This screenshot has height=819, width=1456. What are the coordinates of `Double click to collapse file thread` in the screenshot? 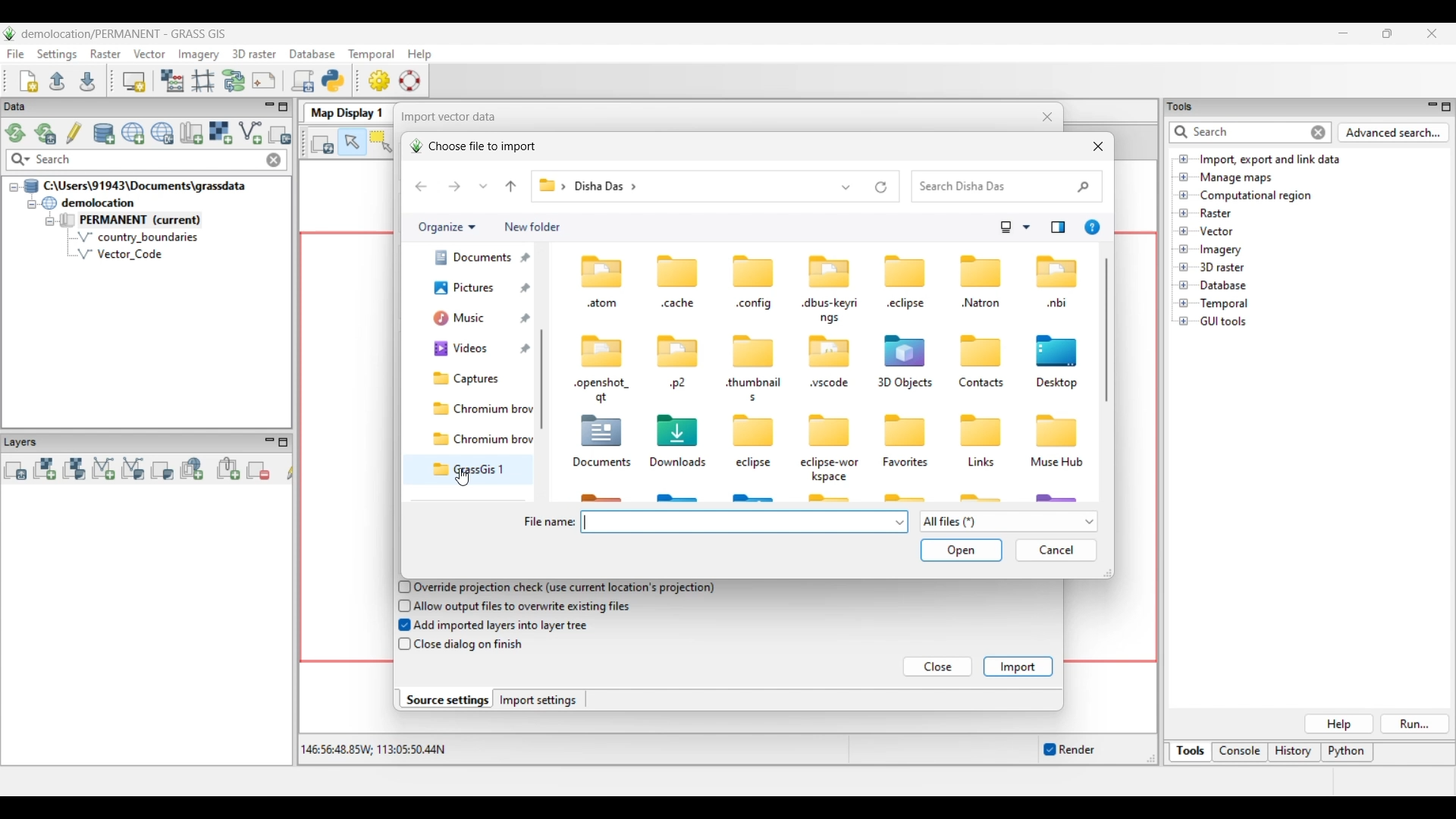 It's located at (135, 186).